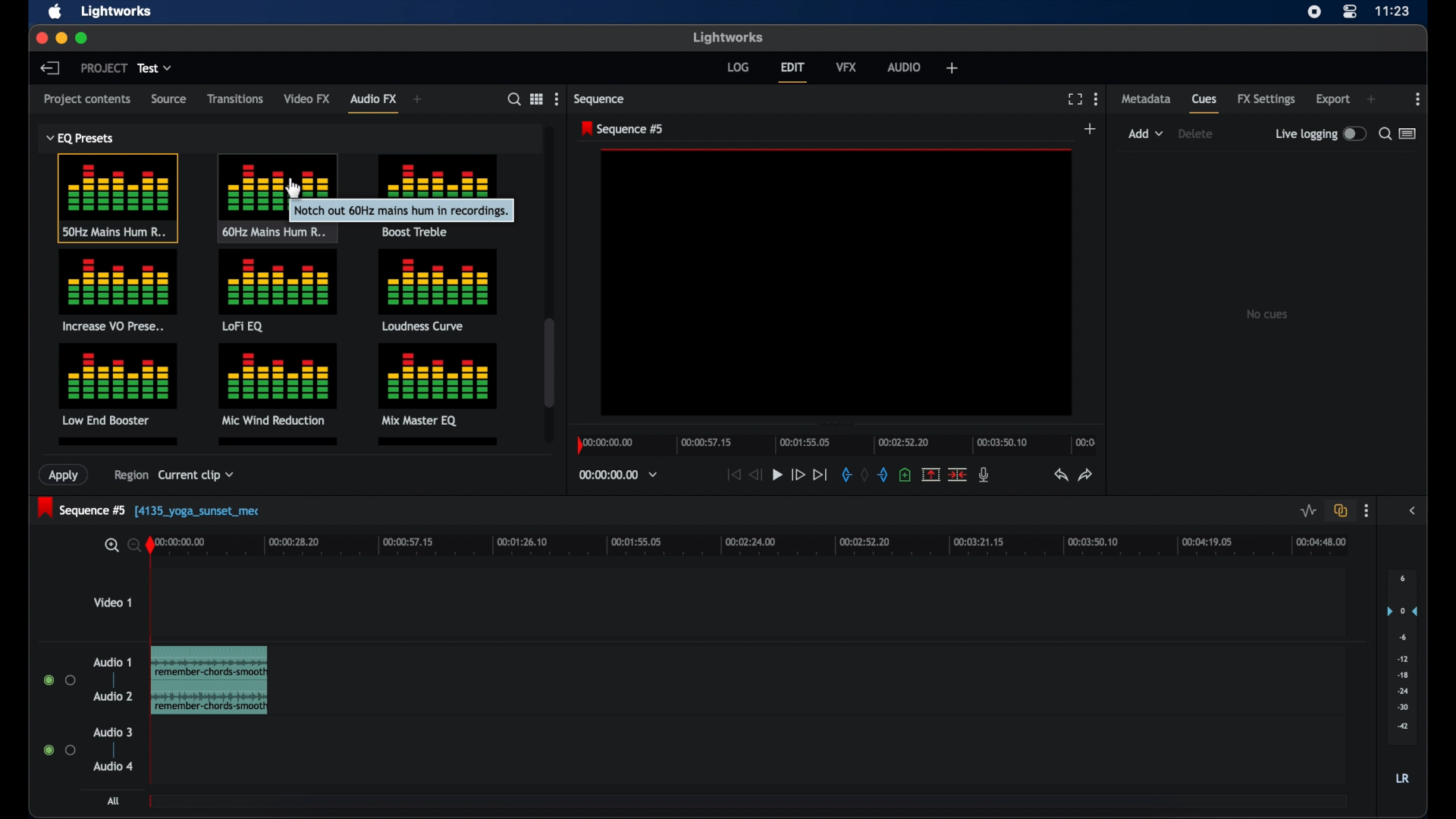  Describe the element at coordinates (118, 11) in the screenshot. I see `lightworks` at that location.